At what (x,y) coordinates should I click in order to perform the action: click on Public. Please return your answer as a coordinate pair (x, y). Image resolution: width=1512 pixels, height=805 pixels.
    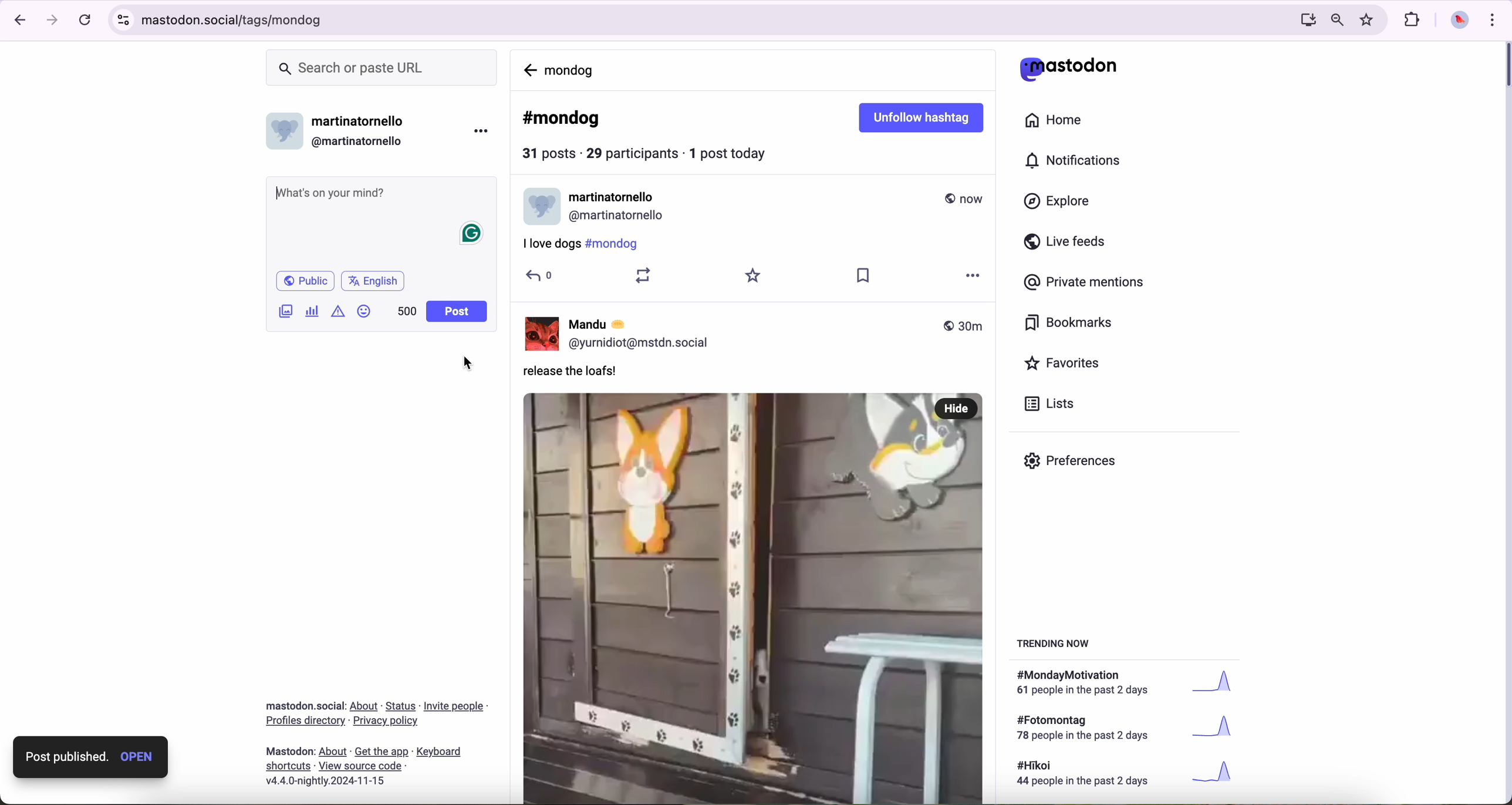
    Looking at the image, I should click on (307, 282).